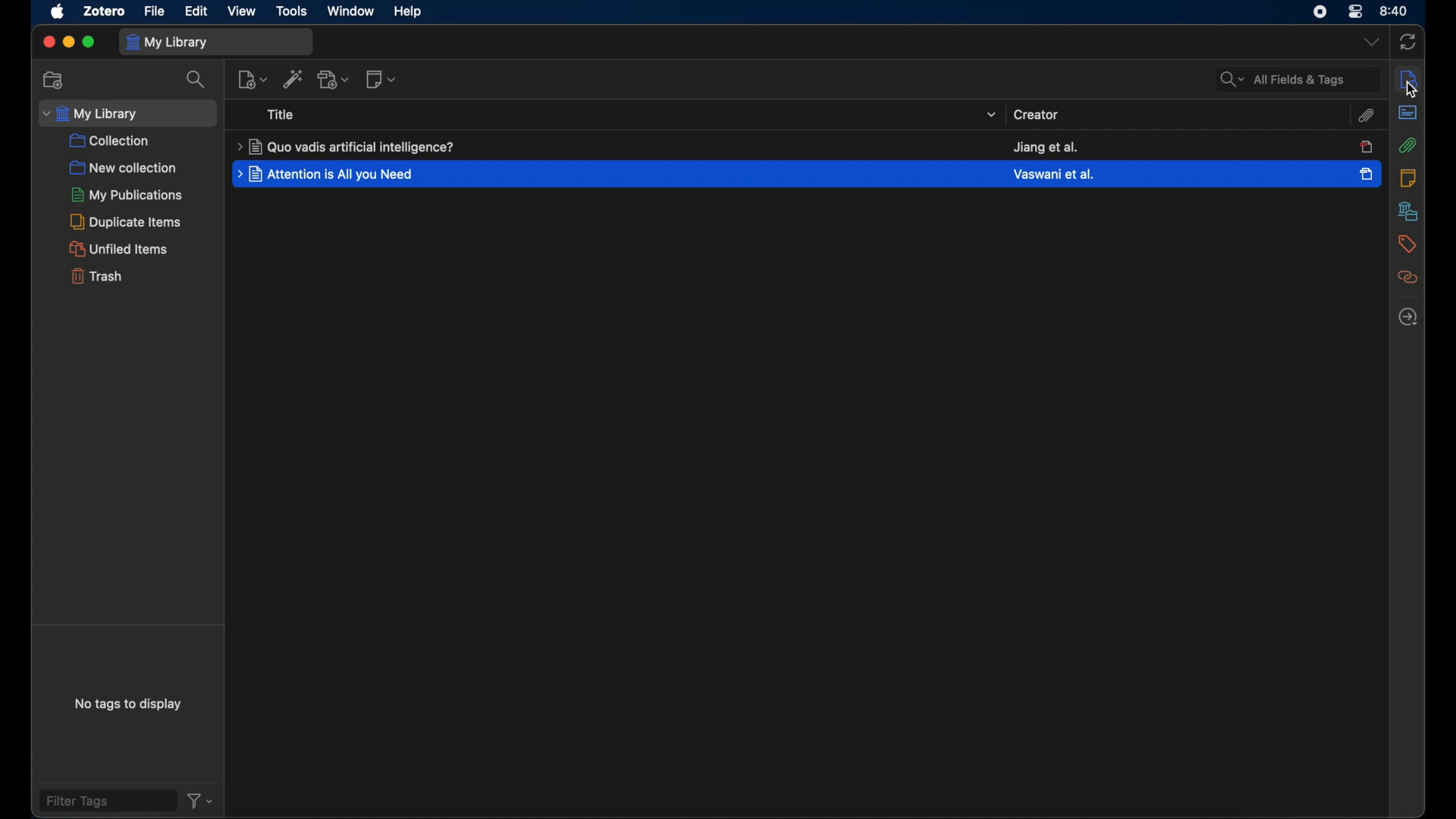  Describe the element at coordinates (348, 11) in the screenshot. I see `window` at that location.